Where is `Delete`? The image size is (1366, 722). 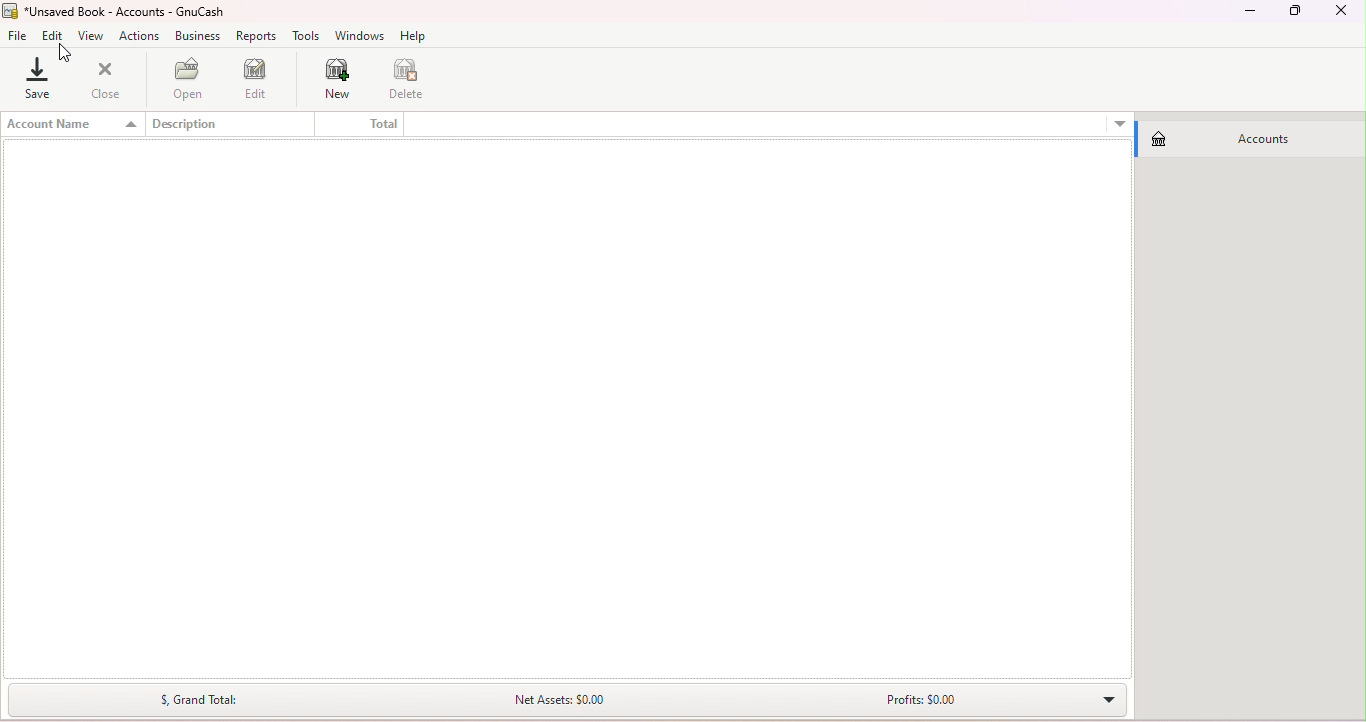
Delete is located at coordinates (404, 77).